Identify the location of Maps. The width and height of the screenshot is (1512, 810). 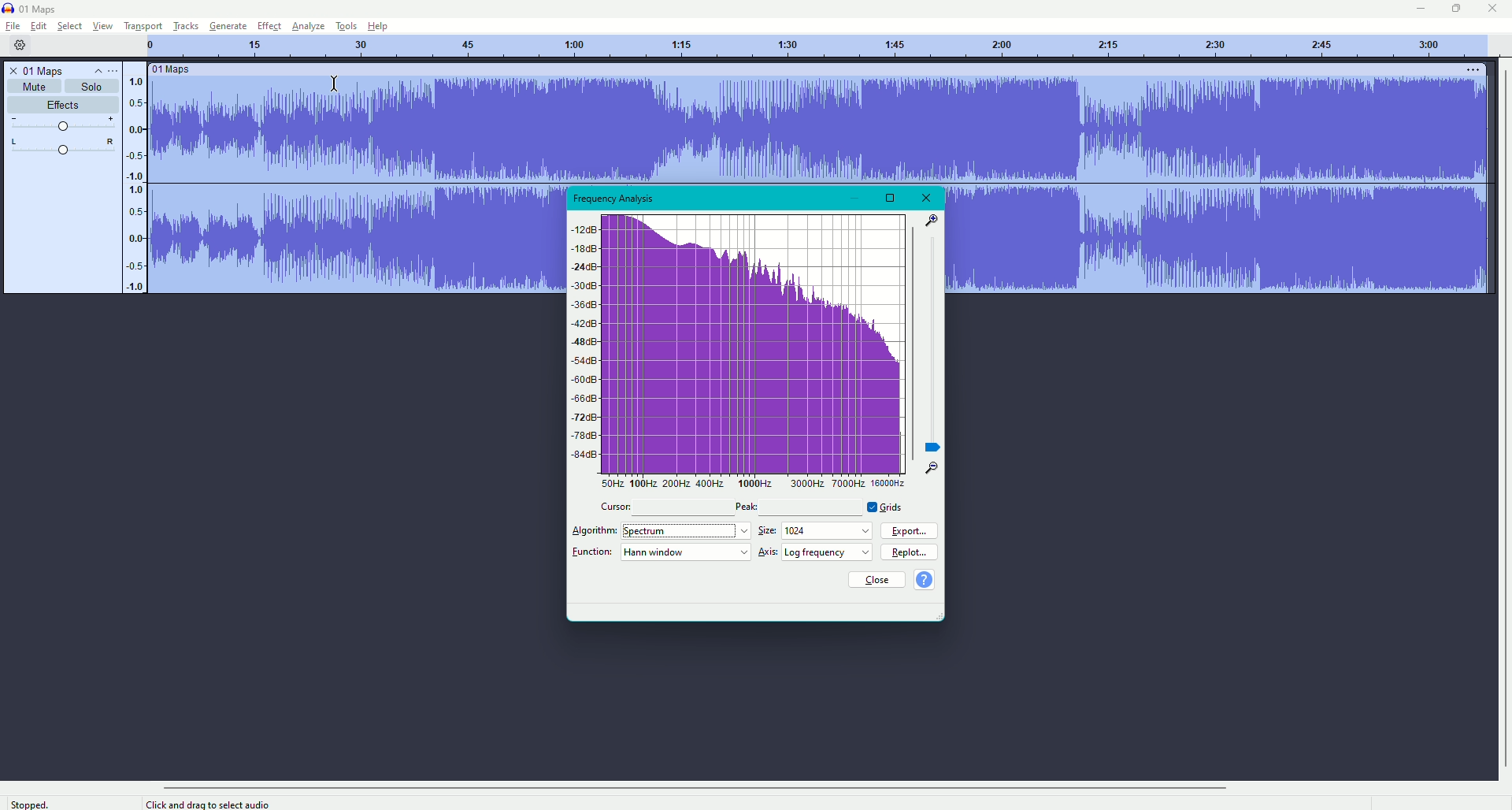
(31, 9).